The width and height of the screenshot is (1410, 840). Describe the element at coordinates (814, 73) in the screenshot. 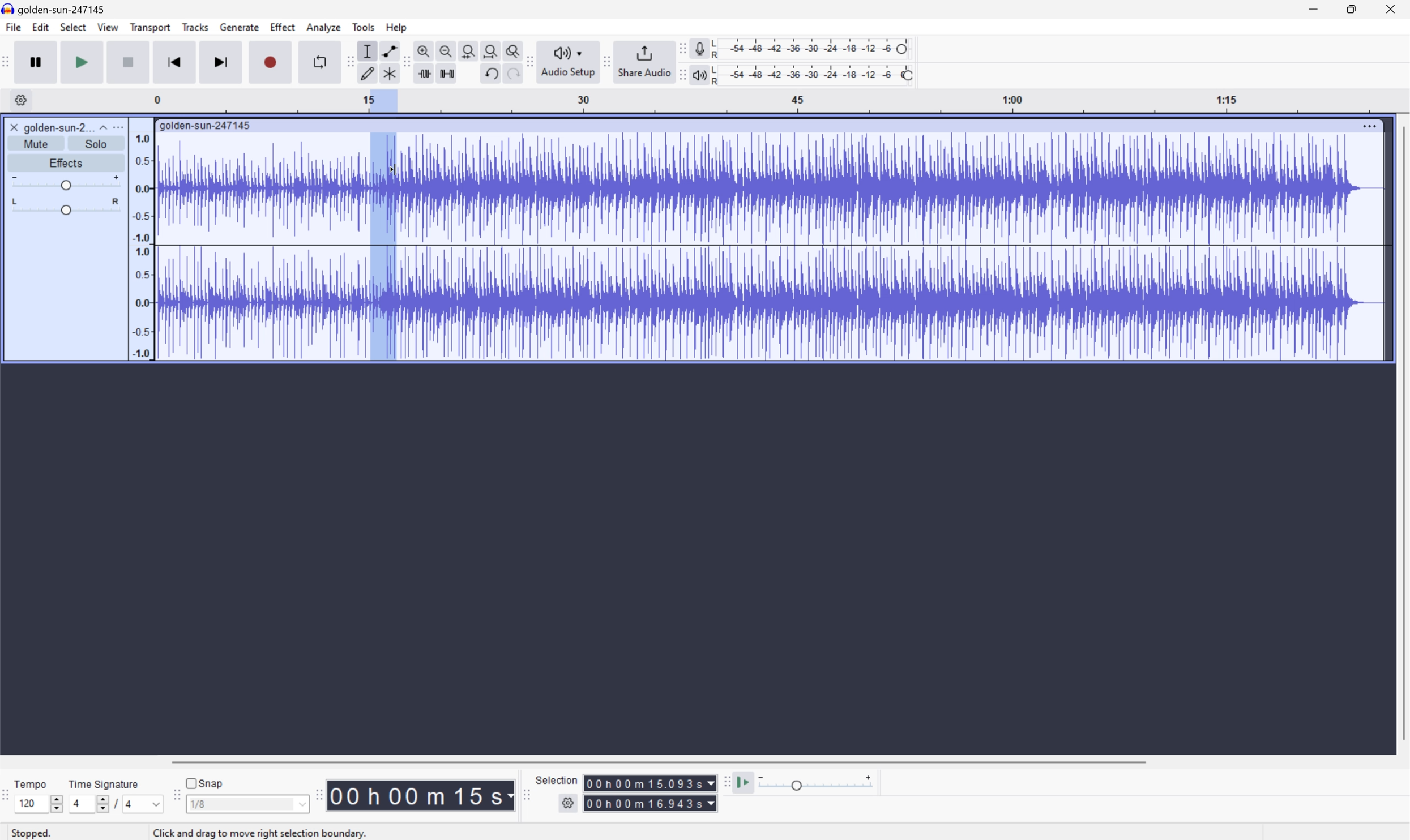

I see `Playback speed: 100%` at that location.